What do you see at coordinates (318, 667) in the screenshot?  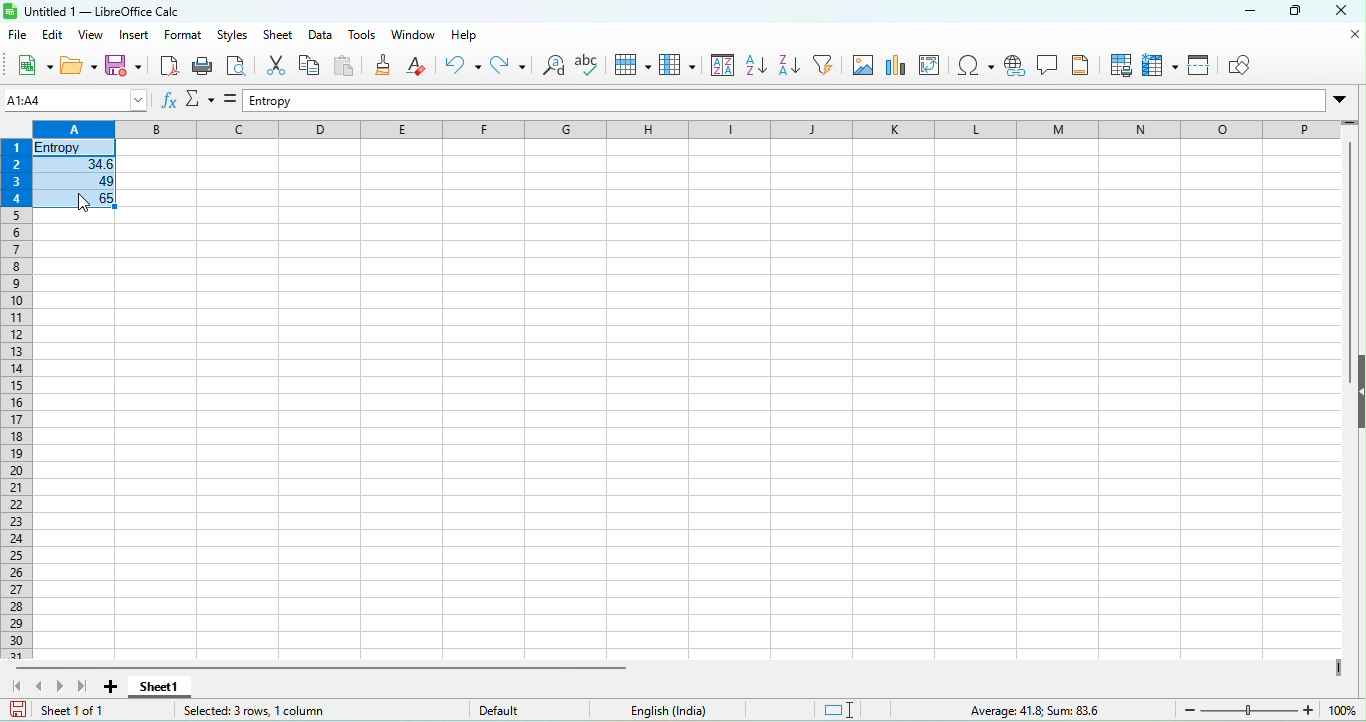 I see `horizontal scroll bar` at bounding box center [318, 667].